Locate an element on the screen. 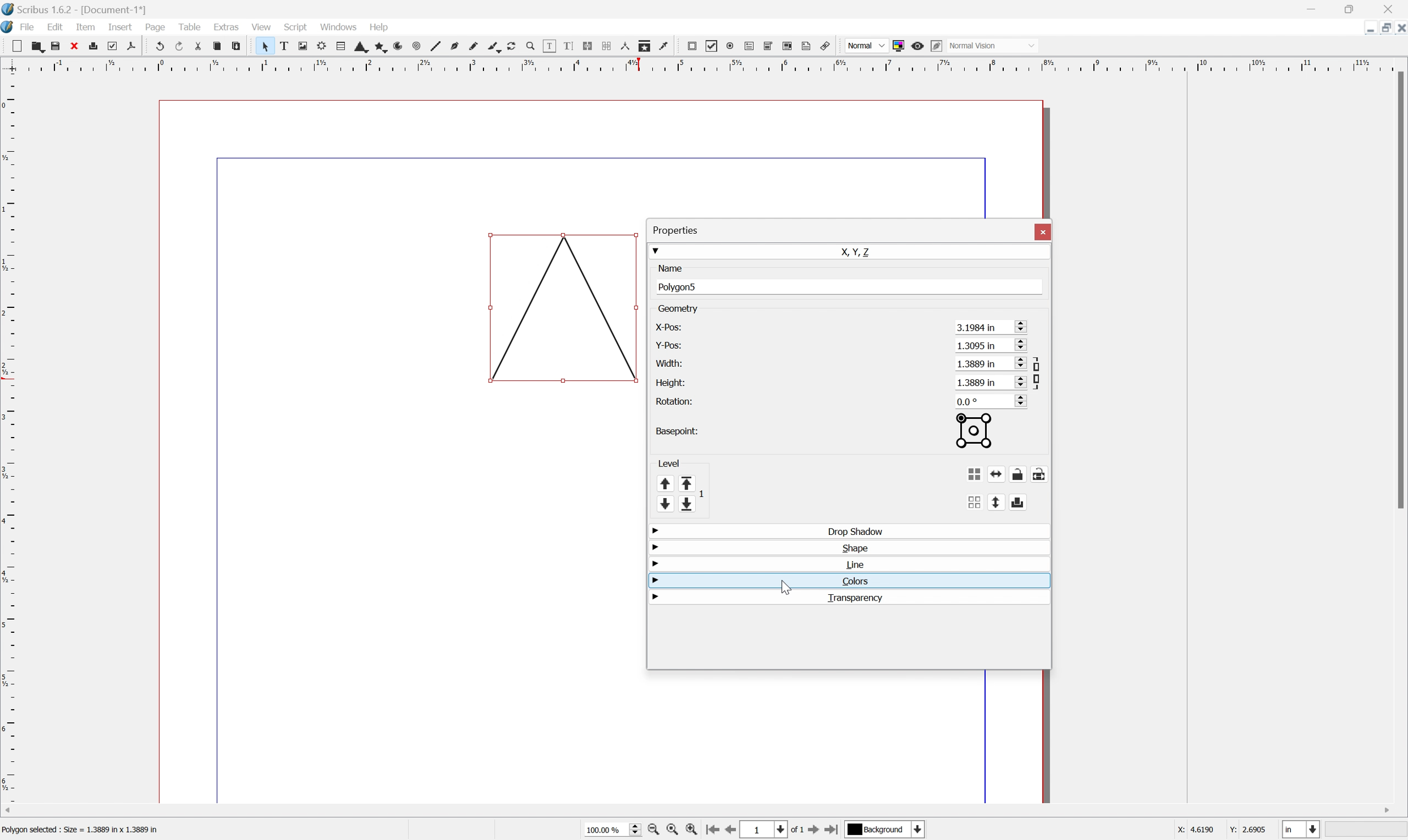 Image resolution: width=1408 pixels, height=840 pixels. PDF list box is located at coordinates (788, 46).